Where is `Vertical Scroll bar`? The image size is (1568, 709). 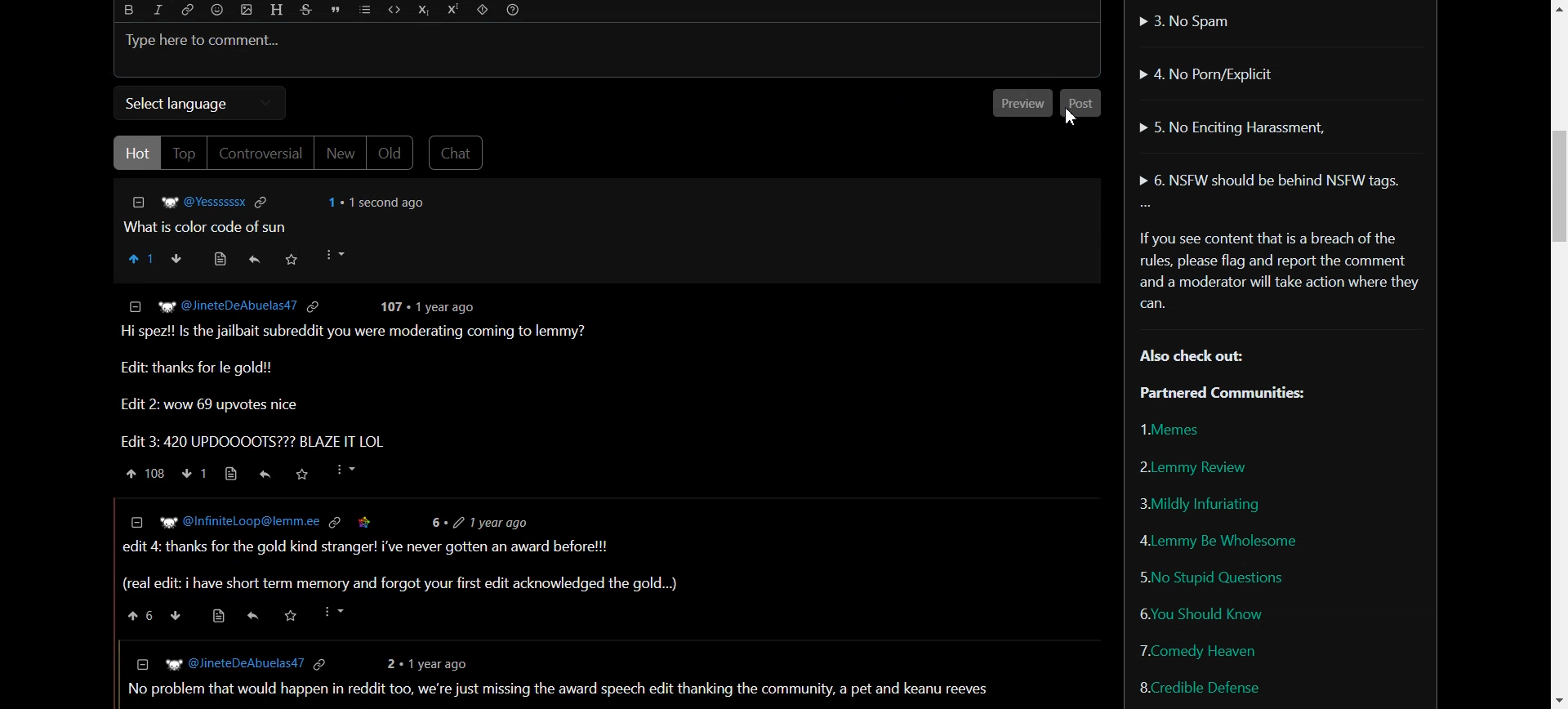 Vertical Scroll bar is located at coordinates (1554, 354).